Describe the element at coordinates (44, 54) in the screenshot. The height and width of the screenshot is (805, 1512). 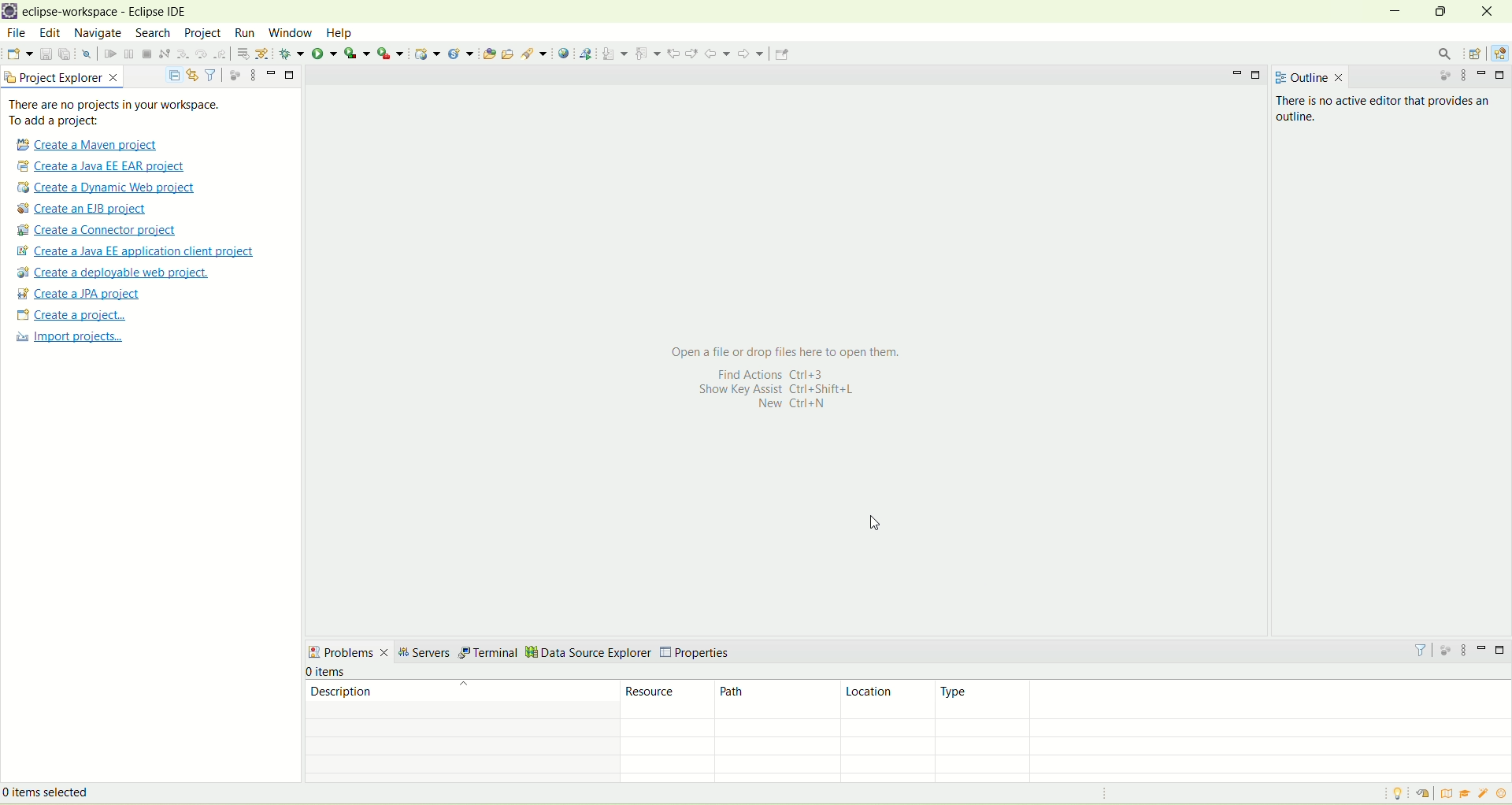
I see `save` at that location.